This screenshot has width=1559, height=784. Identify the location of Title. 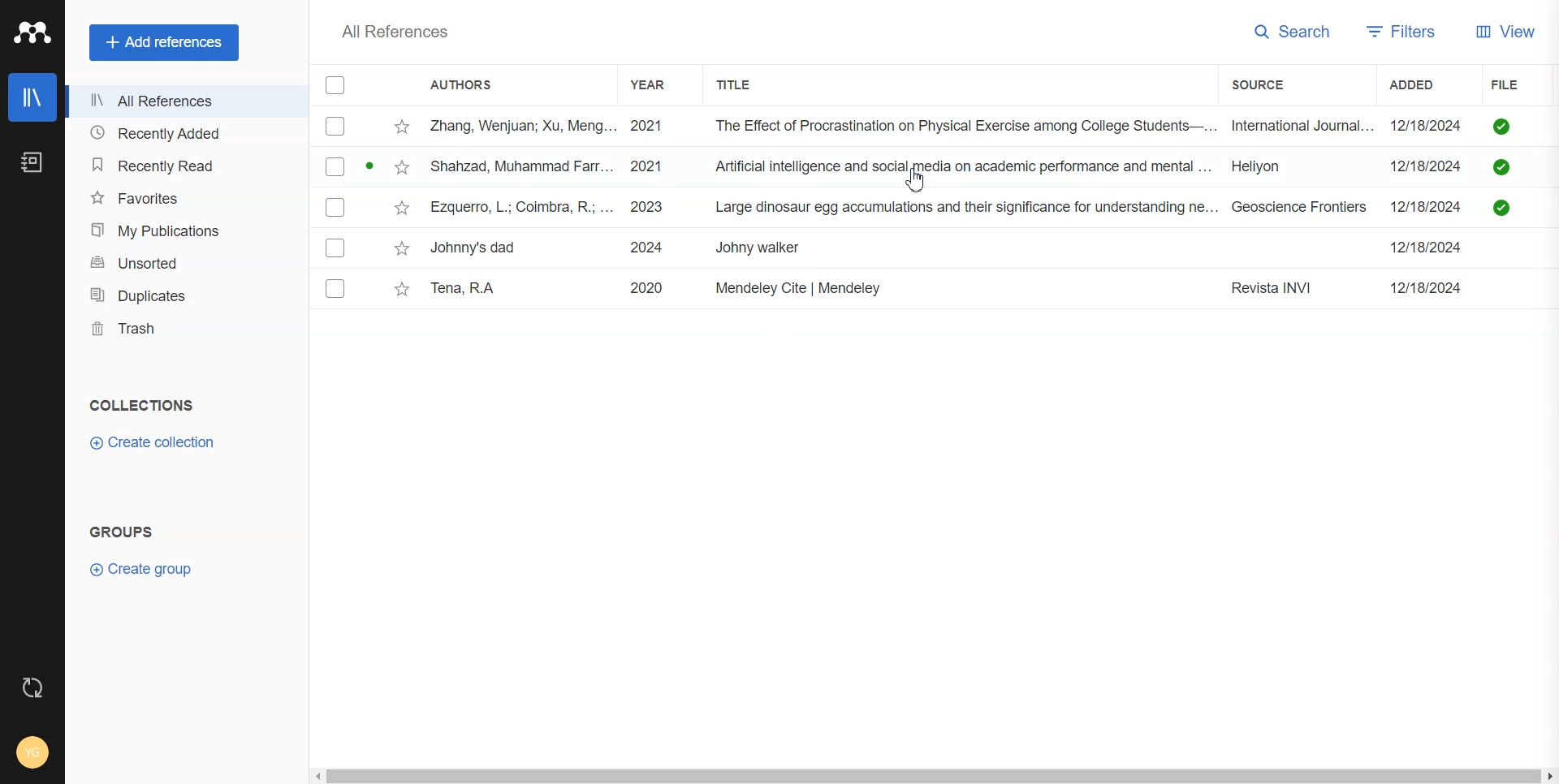
(752, 85).